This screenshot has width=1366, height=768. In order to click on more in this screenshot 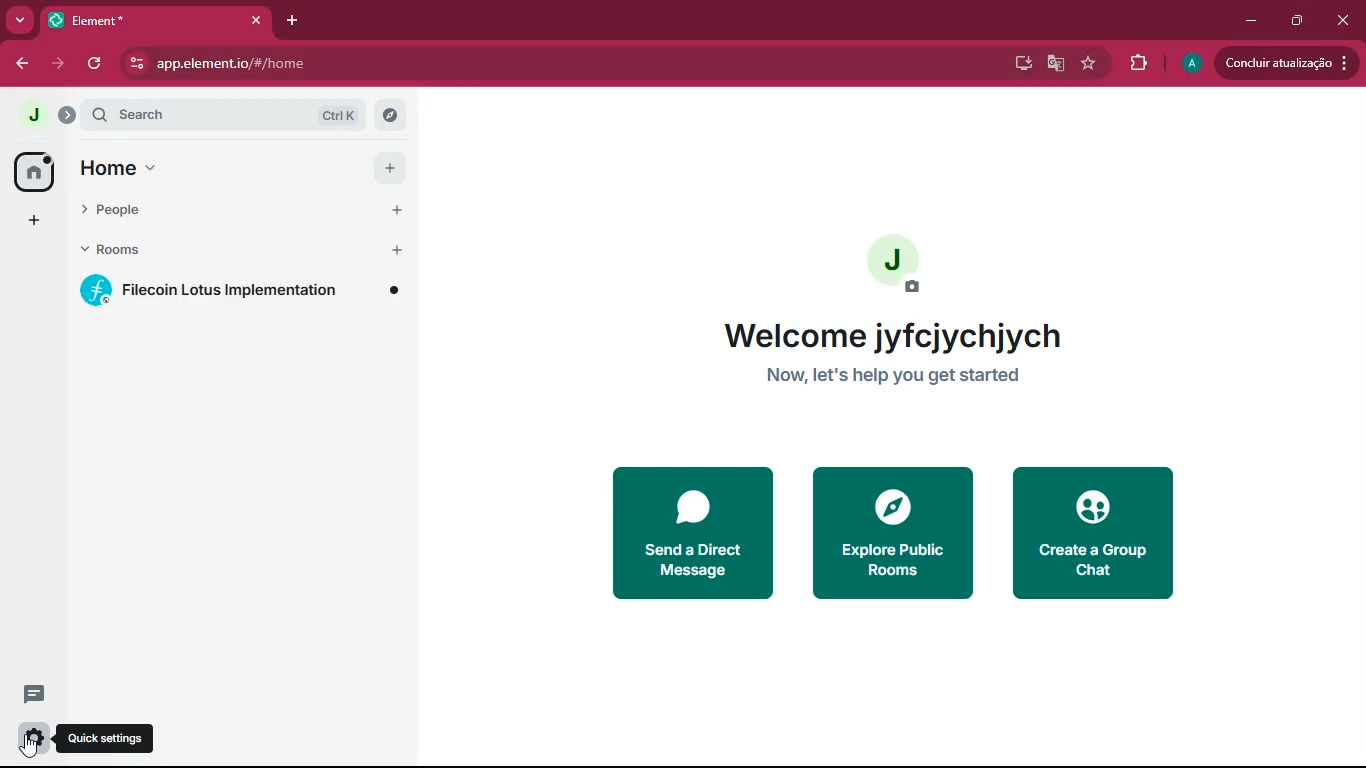, I will do `click(16, 21)`.